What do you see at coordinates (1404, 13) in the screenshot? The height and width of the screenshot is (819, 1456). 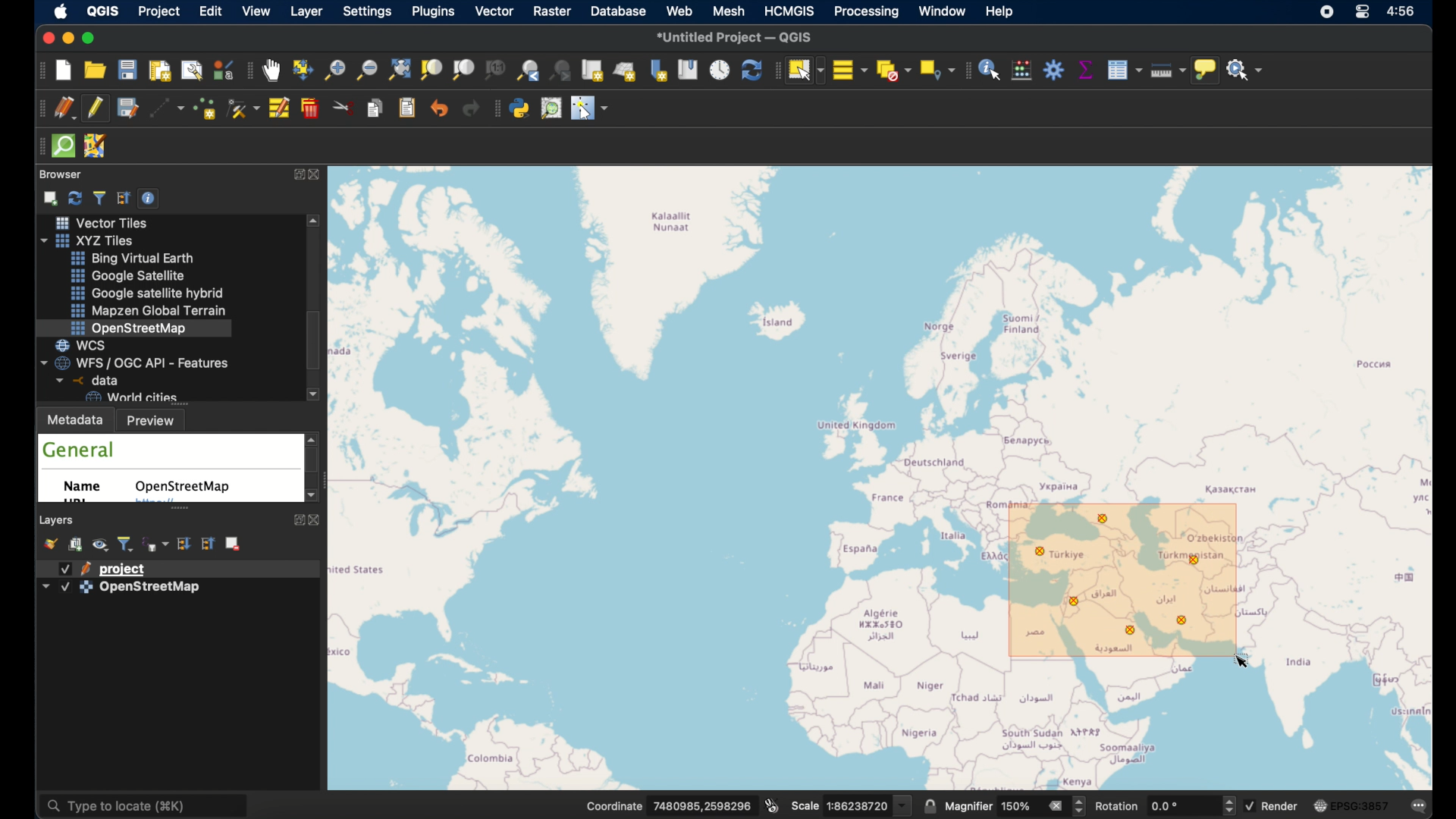 I see `time` at bounding box center [1404, 13].